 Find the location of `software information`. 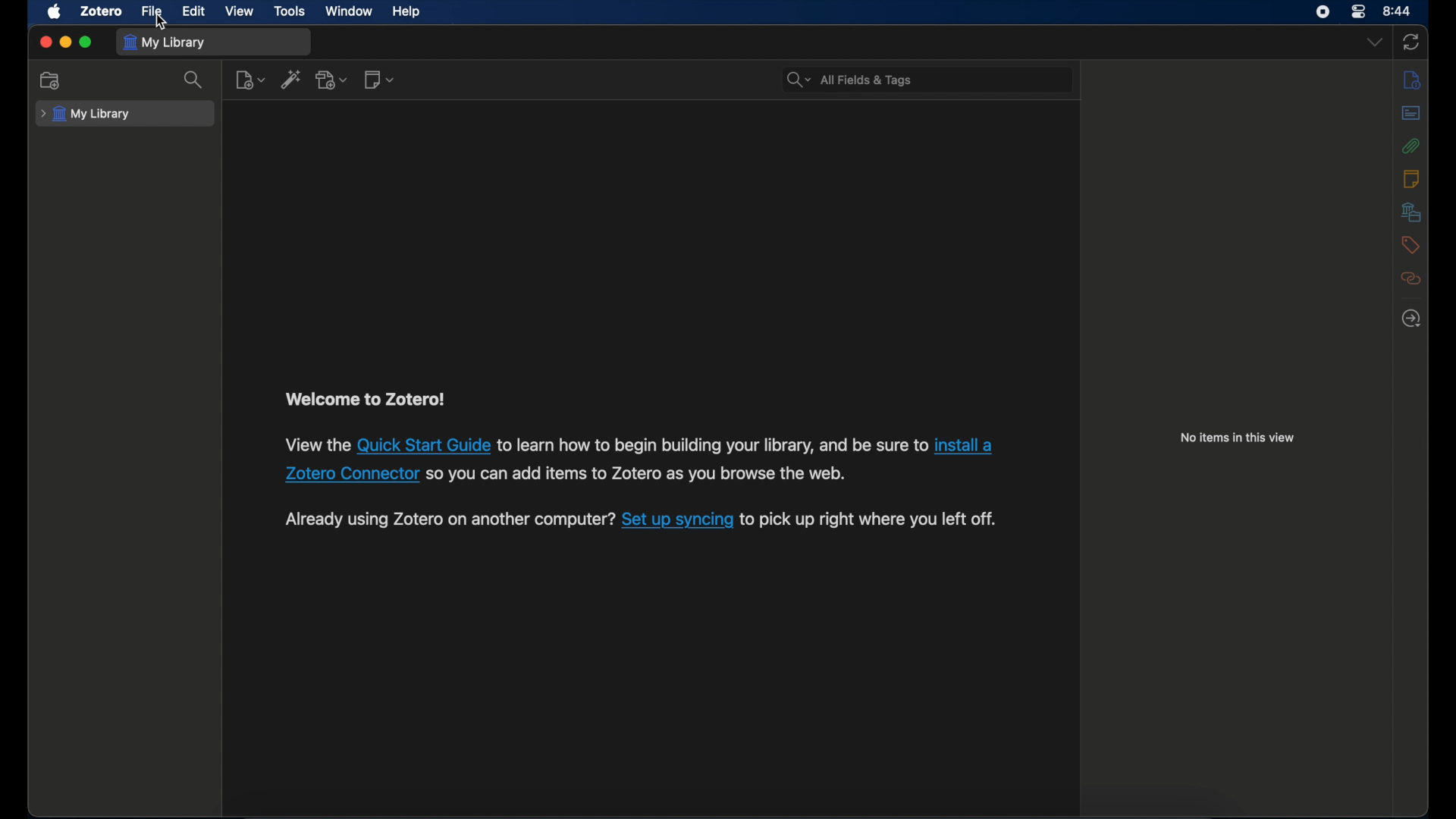

software information is located at coordinates (711, 444).